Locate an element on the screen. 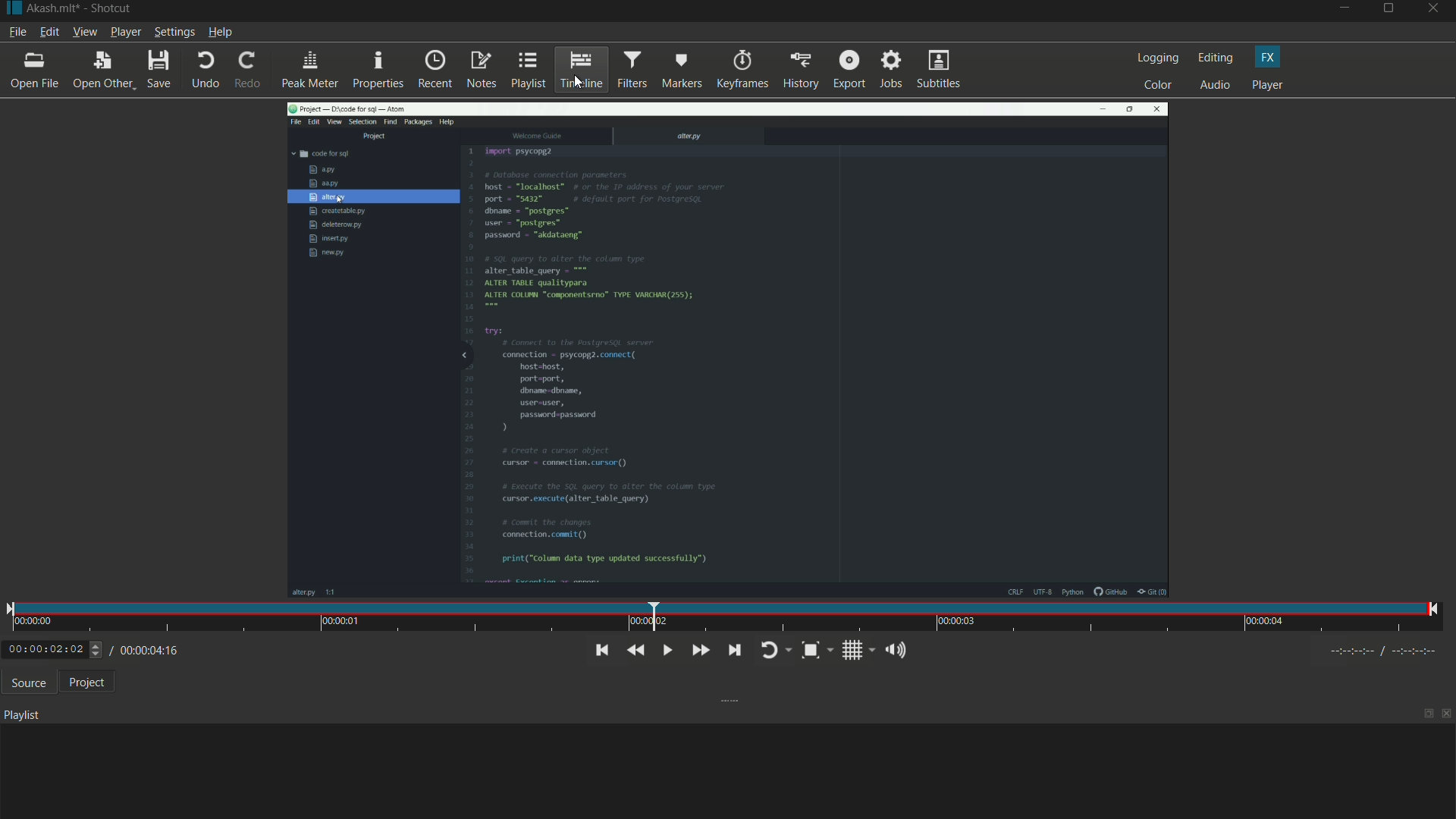  settings menu is located at coordinates (174, 32).